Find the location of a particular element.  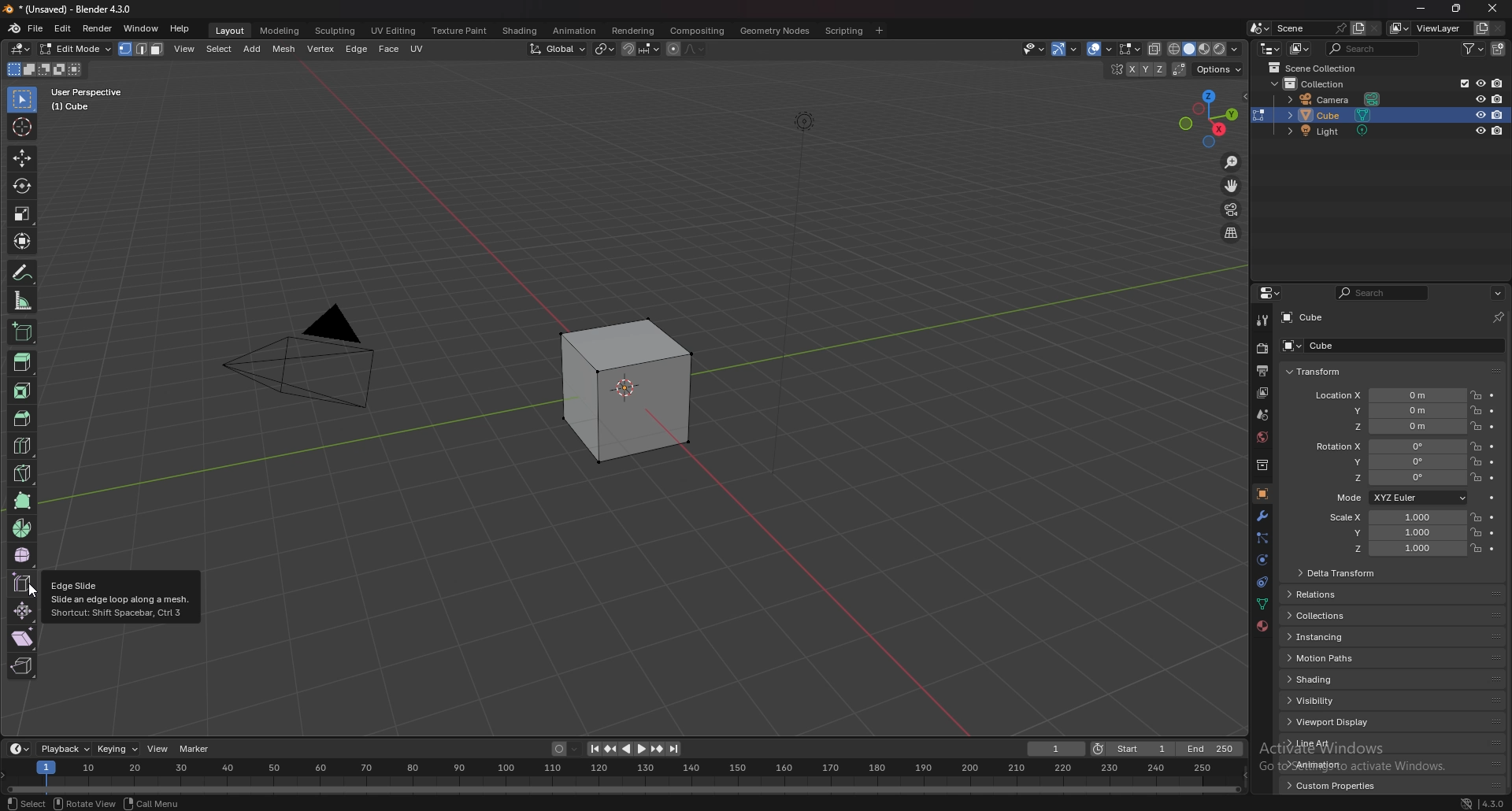

CURSOR is located at coordinates (34, 592).